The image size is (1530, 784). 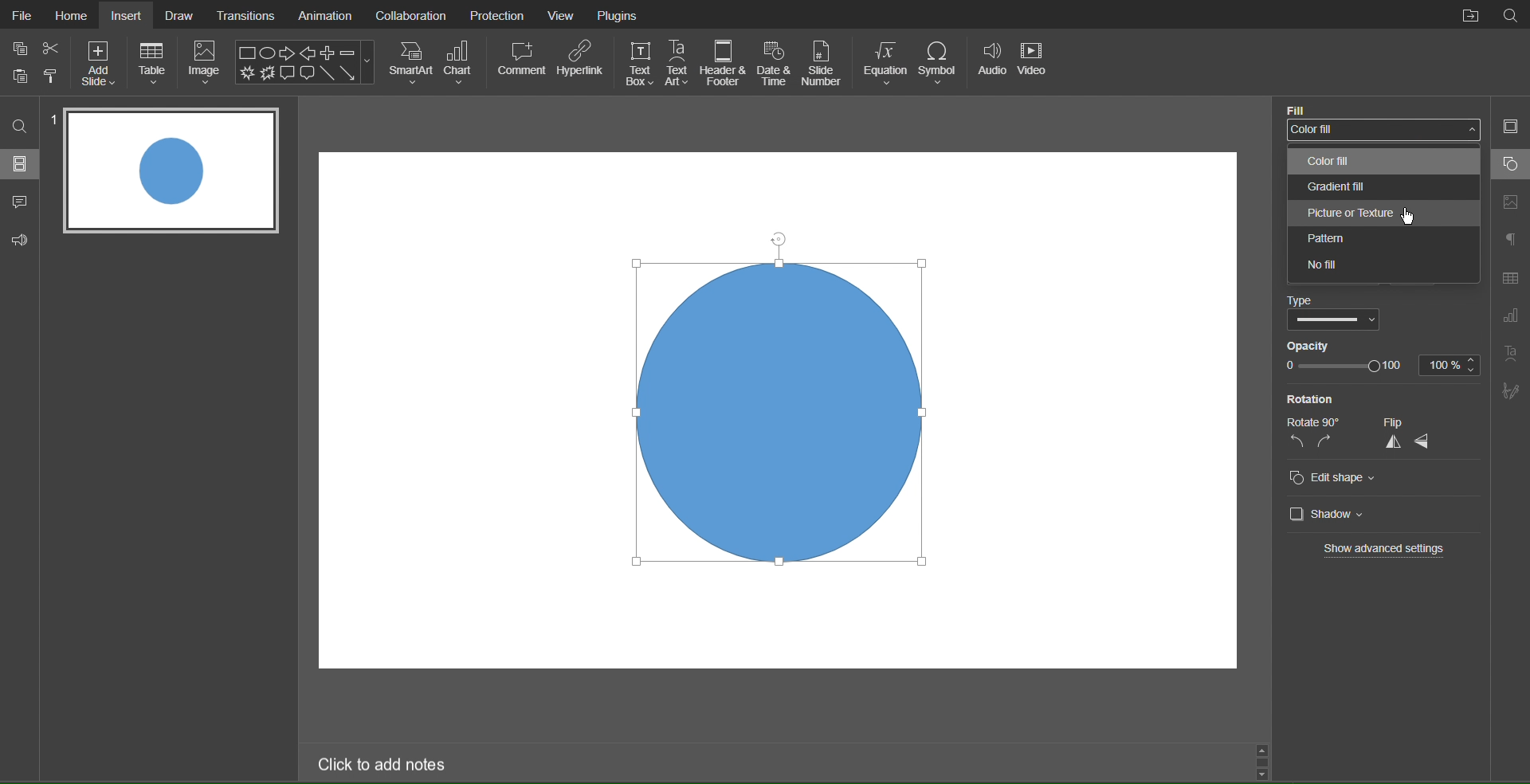 What do you see at coordinates (1512, 16) in the screenshot?
I see `Search` at bounding box center [1512, 16].